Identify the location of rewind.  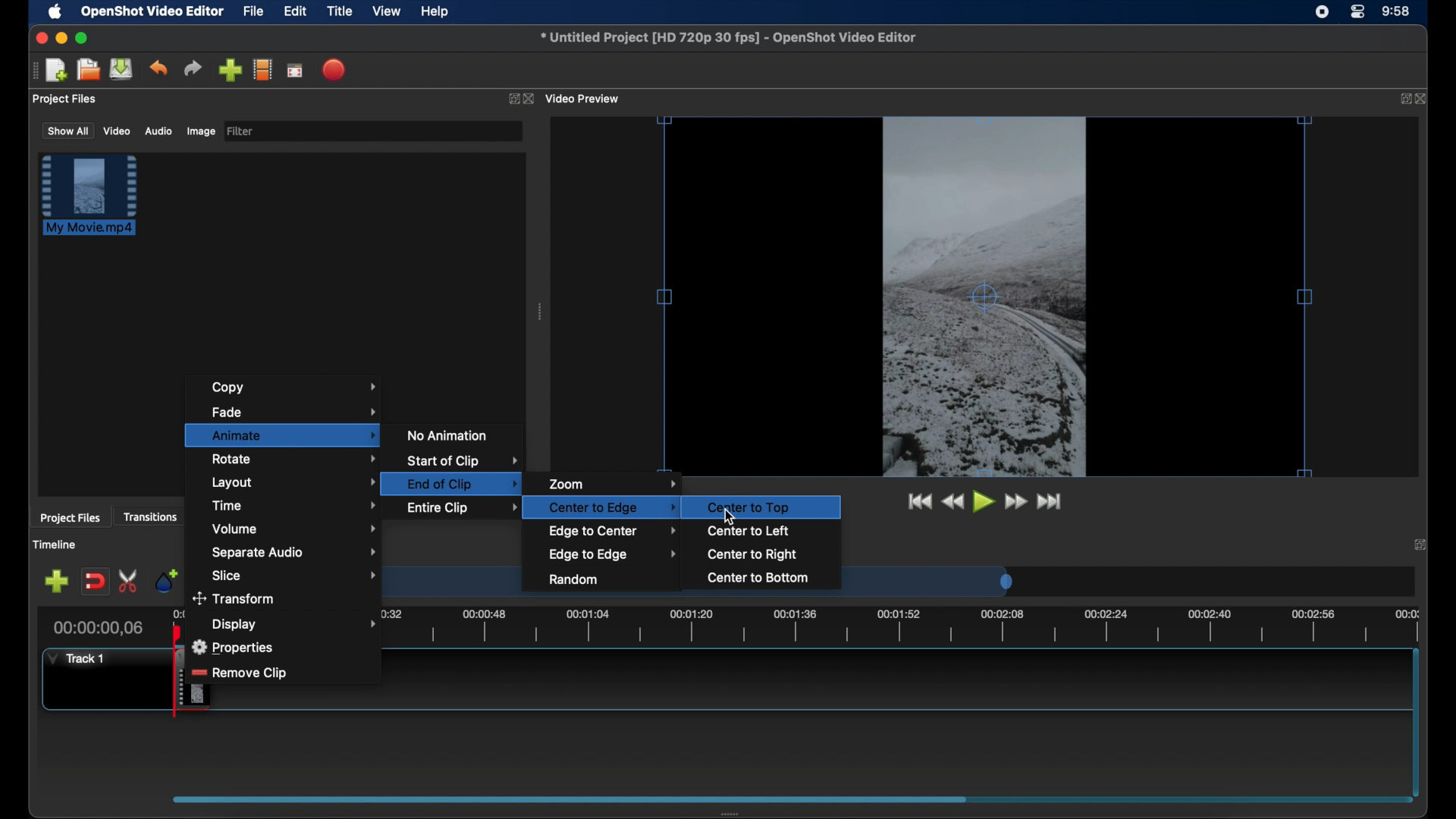
(952, 502).